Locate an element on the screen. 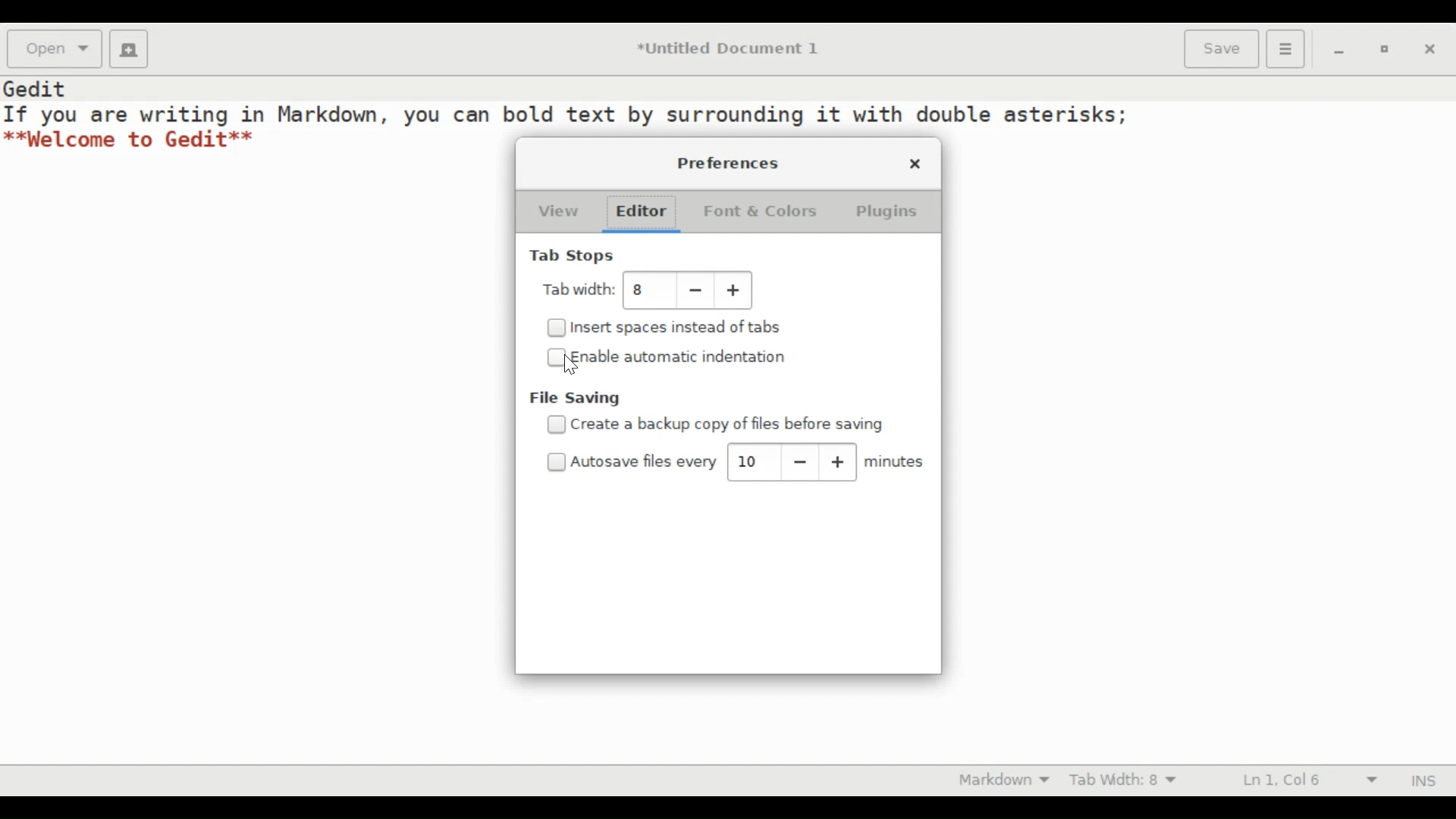 This screenshot has height=819, width=1456. Editor is located at coordinates (639, 211).